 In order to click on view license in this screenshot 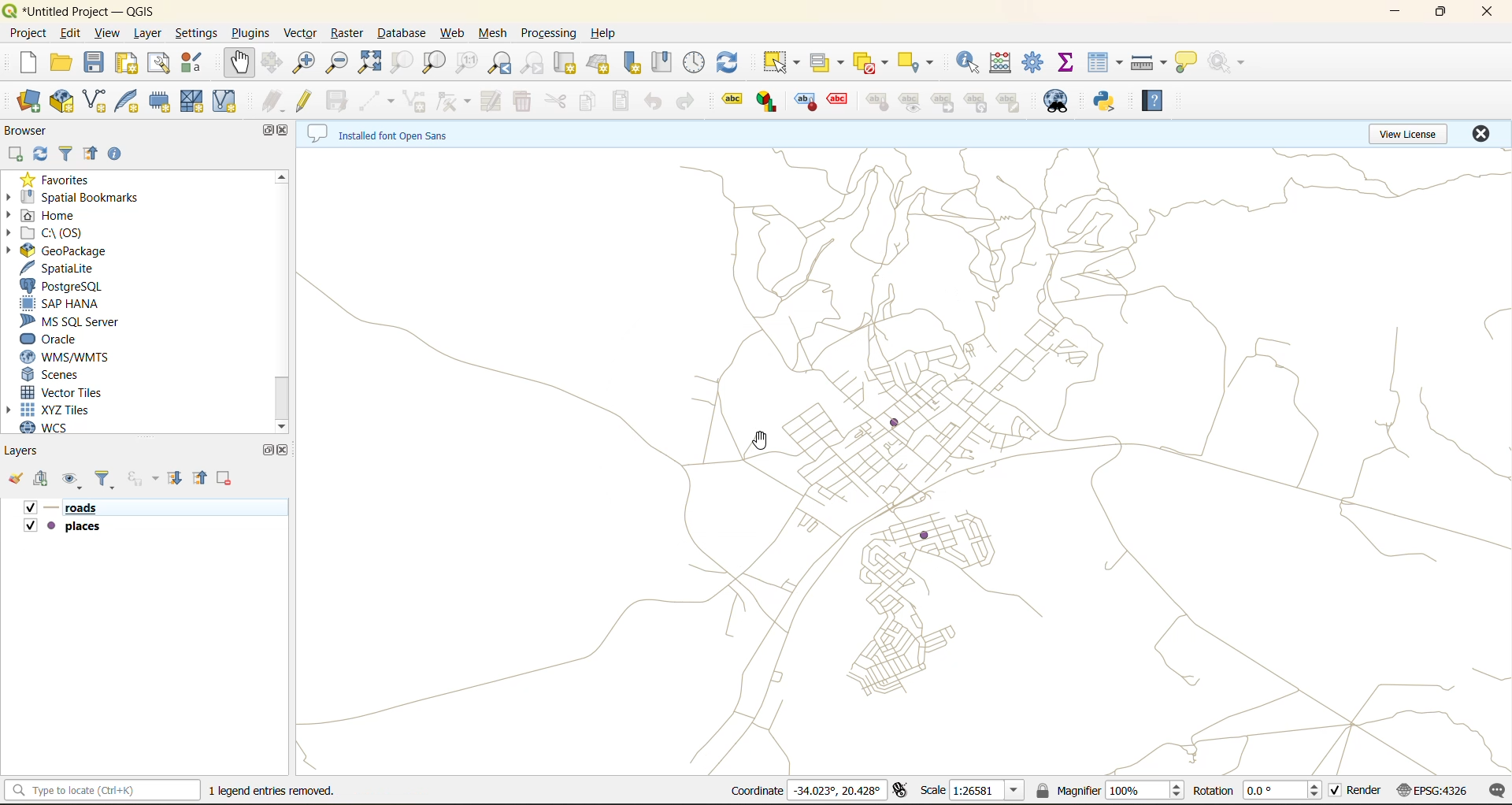, I will do `click(1413, 134)`.